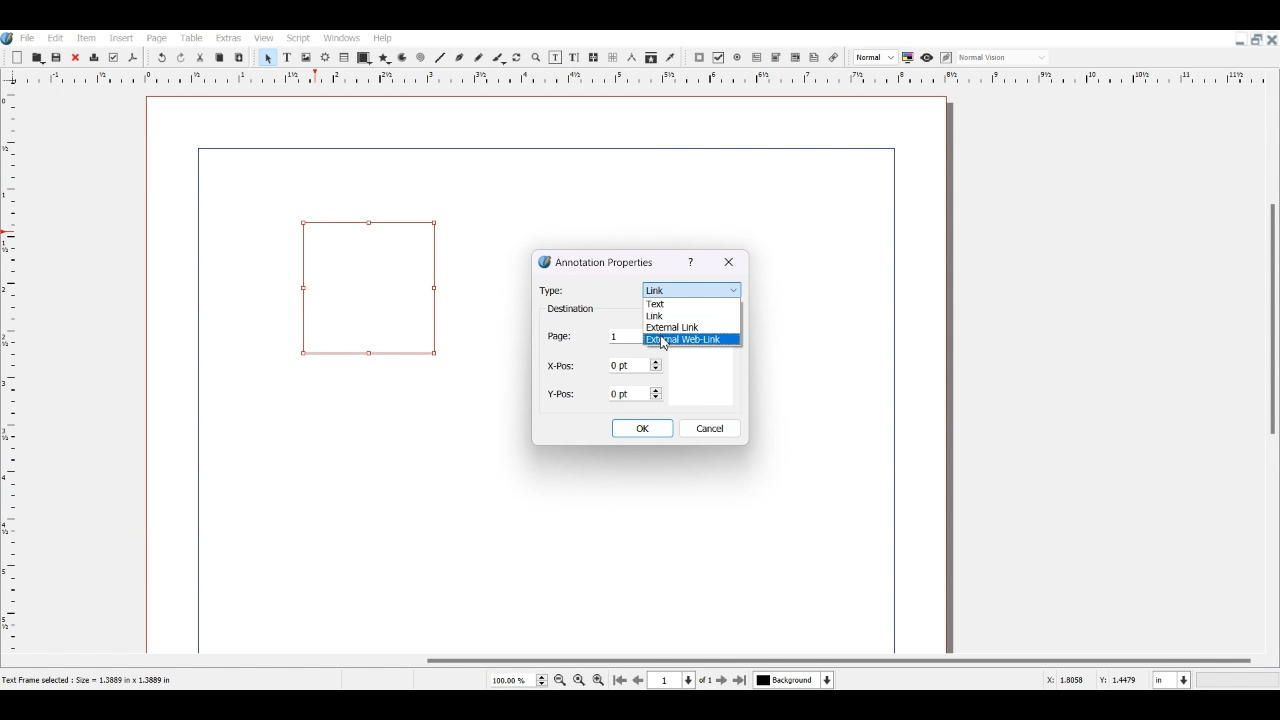  I want to click on Zoom in or out, so click(535, 57).